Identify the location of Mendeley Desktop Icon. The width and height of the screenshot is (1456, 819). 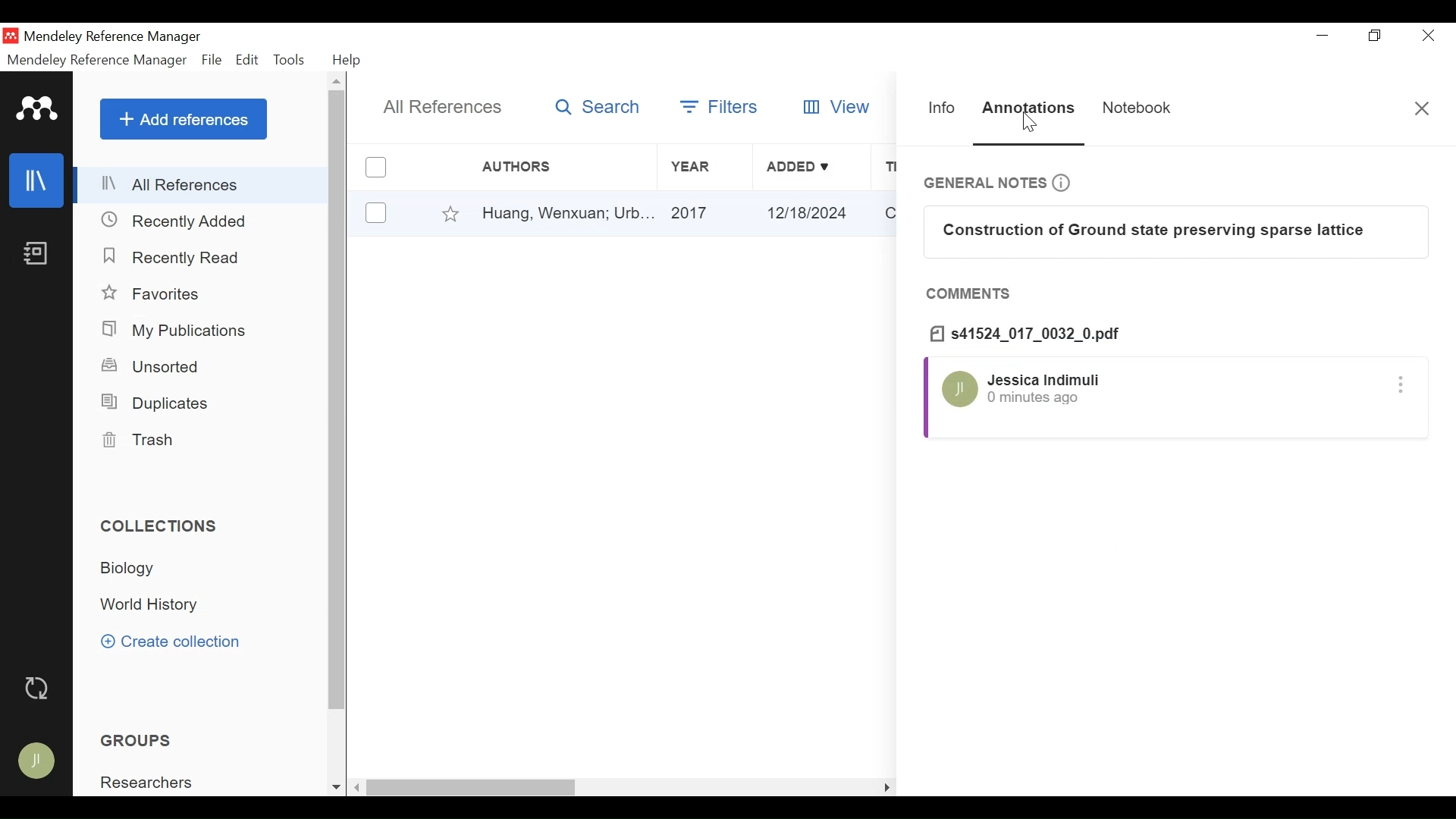
(11, 36).